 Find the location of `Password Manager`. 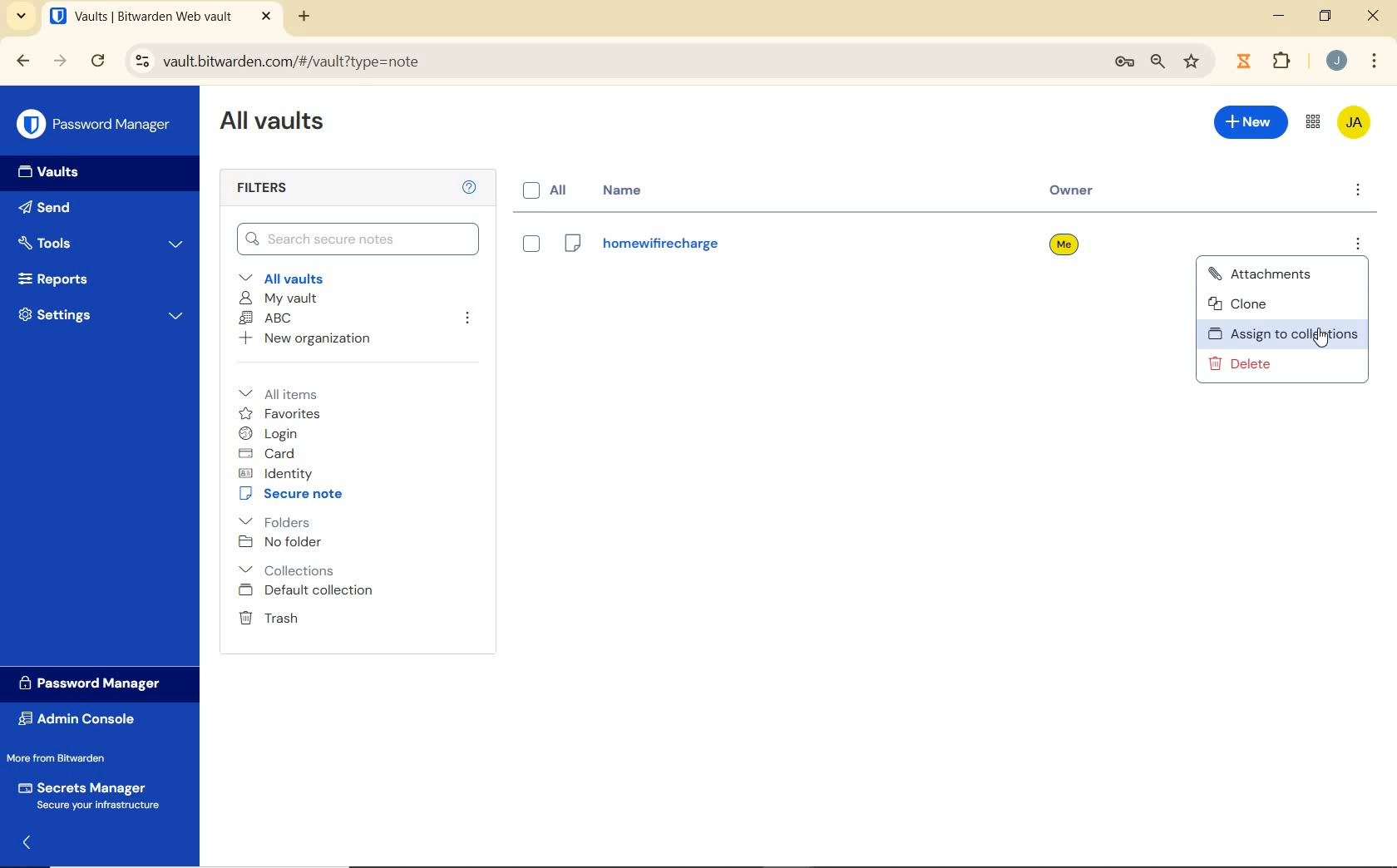

Password Manager is located at coordinates (97, 684).